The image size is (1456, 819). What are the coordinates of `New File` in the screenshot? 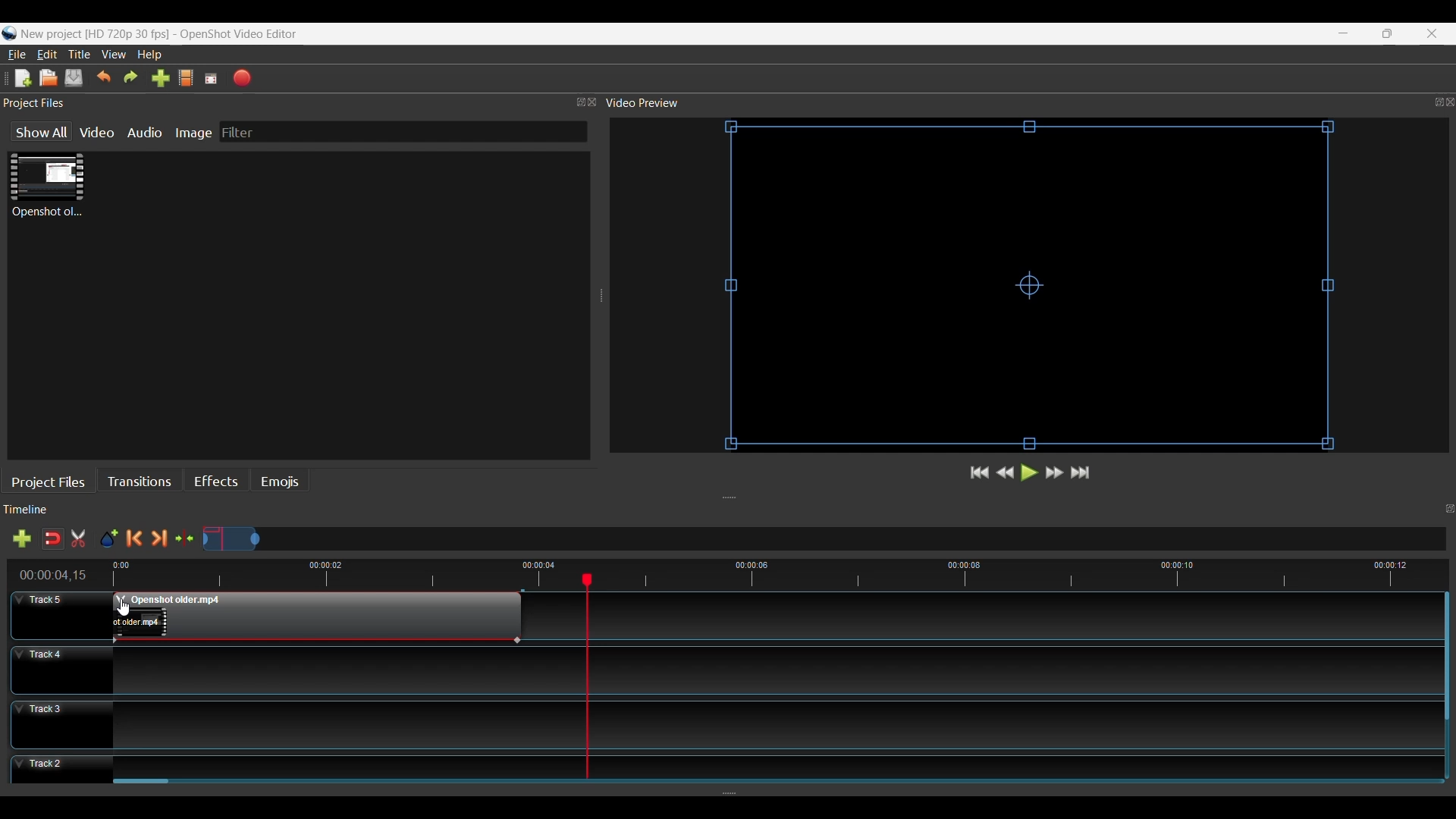 It's located at (20, 77).